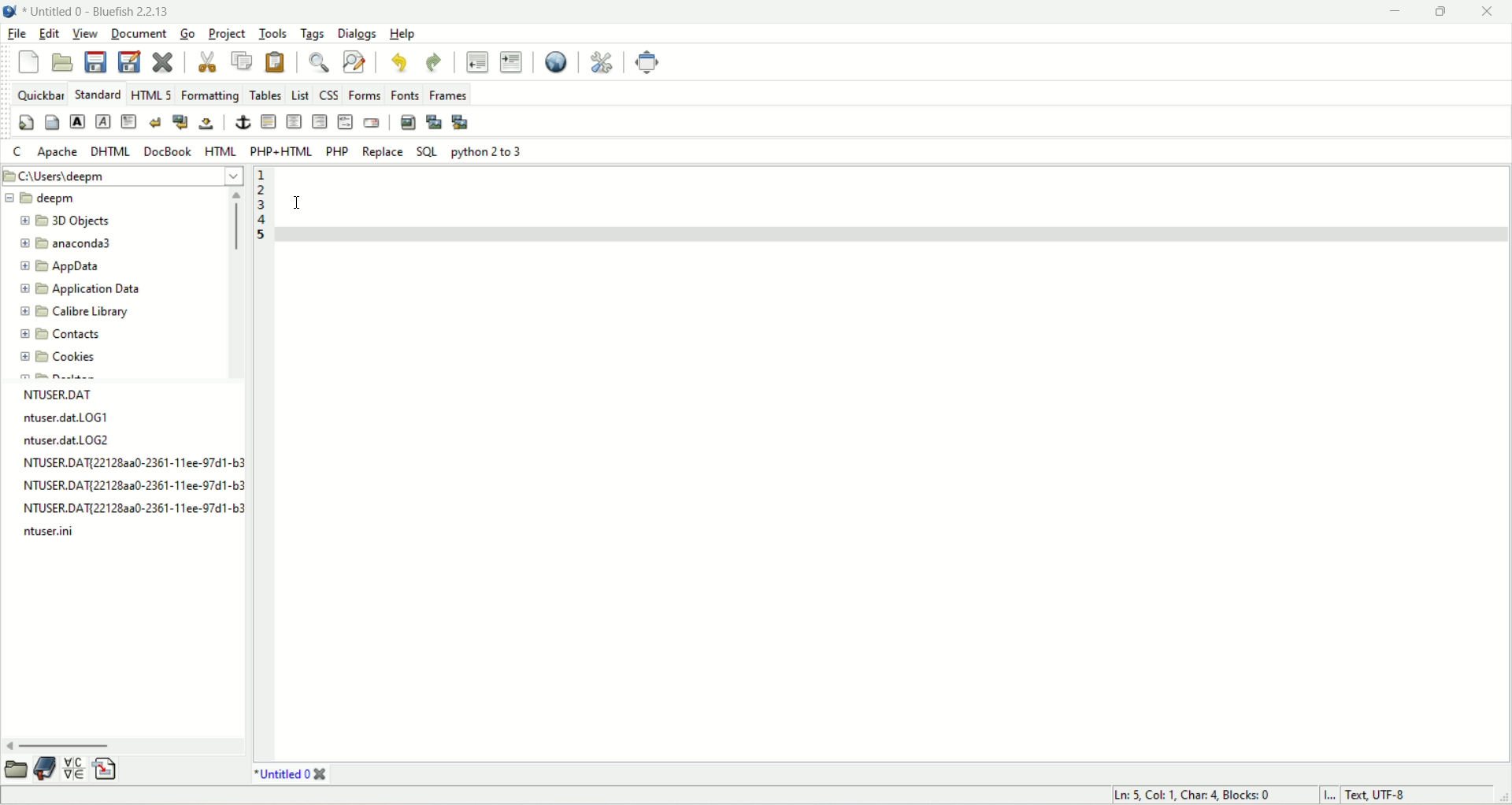  Describe the element at coordinates (355, 33) in the screenshot. I see `dialogs` at that location.